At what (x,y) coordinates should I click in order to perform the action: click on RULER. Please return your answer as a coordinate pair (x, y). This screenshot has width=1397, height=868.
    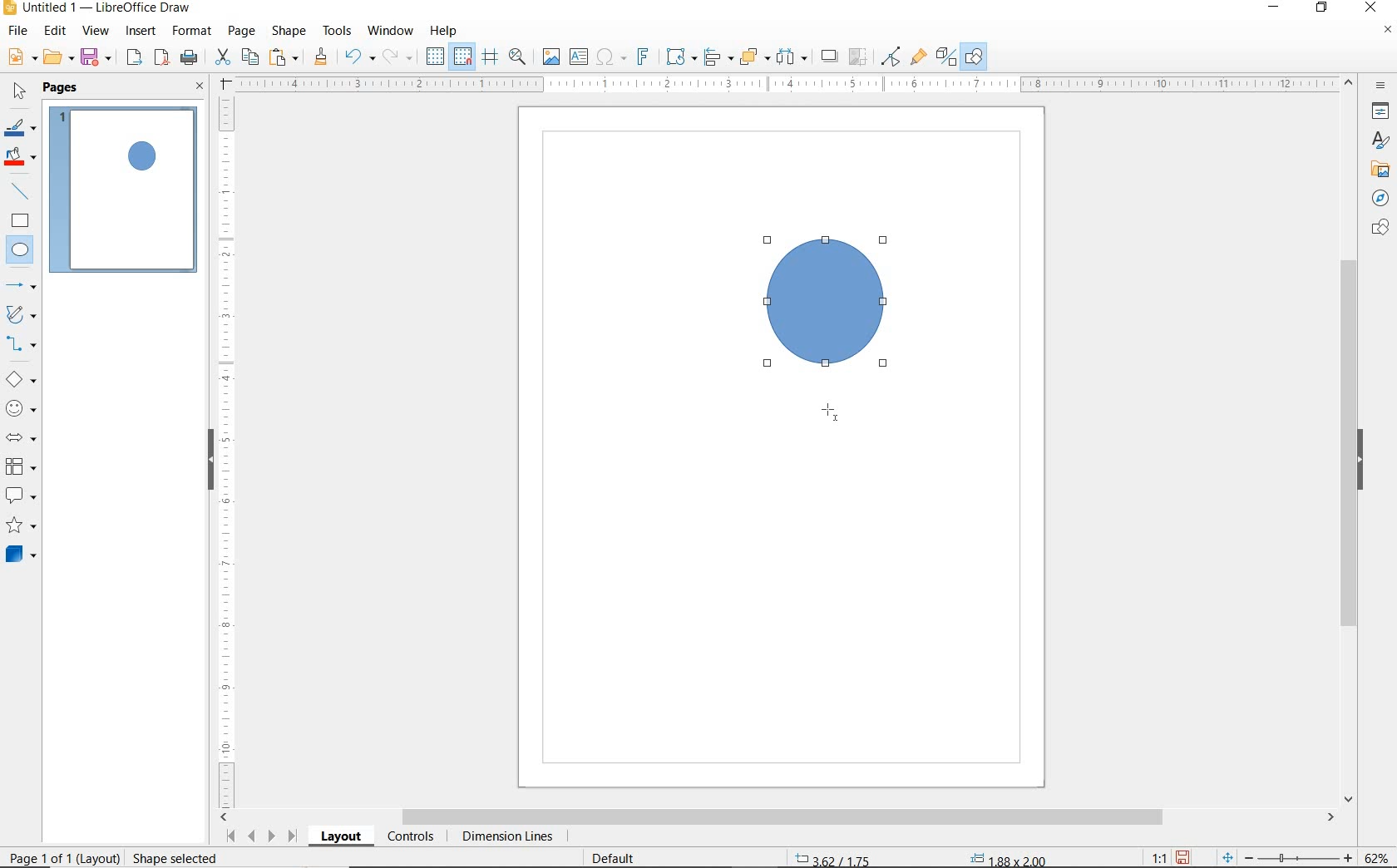
    Looking at the image, I should click on (788, 85).